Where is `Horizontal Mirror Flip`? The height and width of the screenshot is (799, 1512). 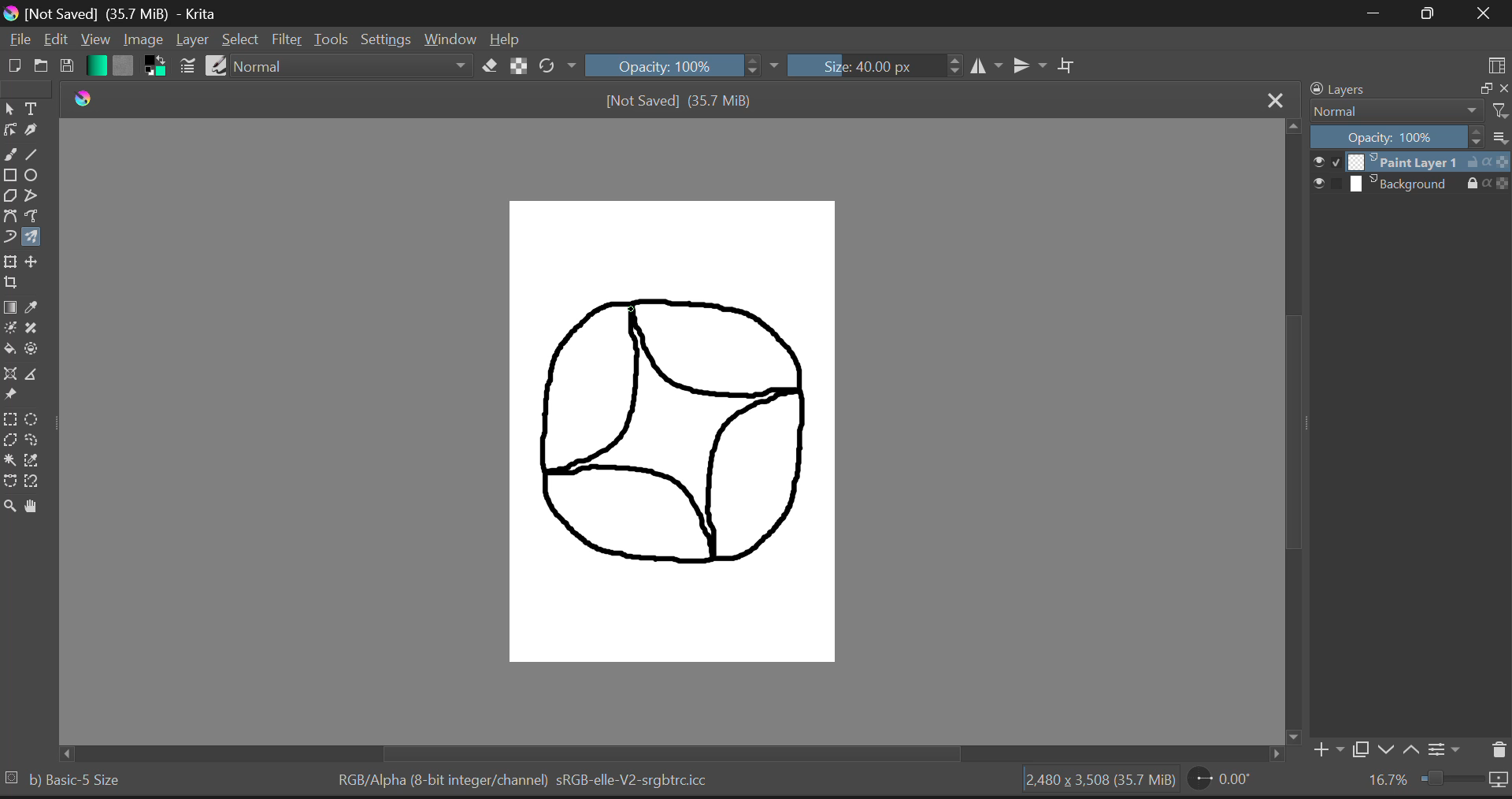
Horizontal Mirror Flip is located at coordinates (1031, 65).